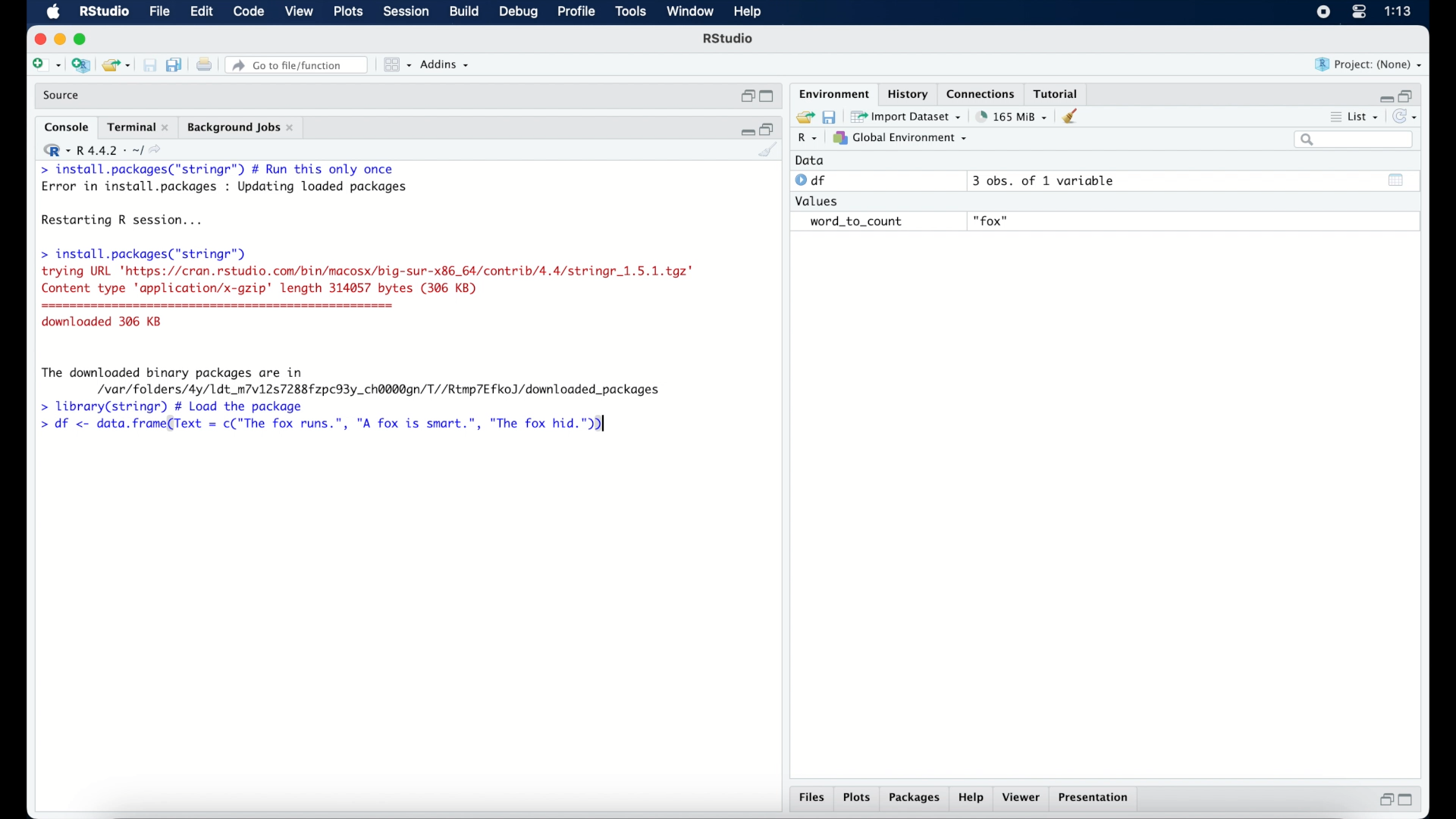 The height and width of the screenshot is (819, 1456). Describe the element at coordinates (768, 128) in the screenshot. I see `restore down` at that location.